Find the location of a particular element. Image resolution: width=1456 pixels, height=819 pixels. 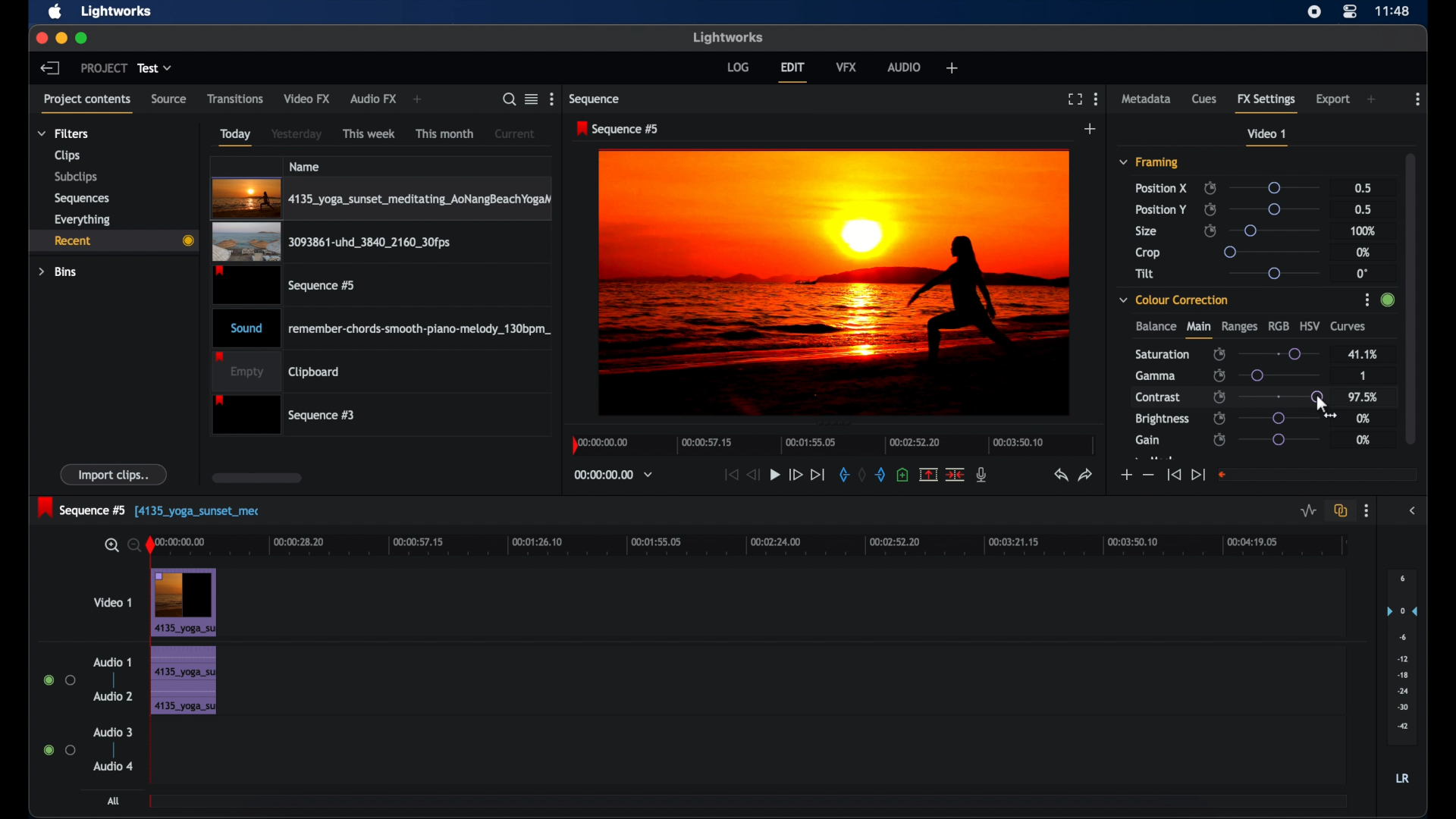

1 is located at coordinates (1360, 375).